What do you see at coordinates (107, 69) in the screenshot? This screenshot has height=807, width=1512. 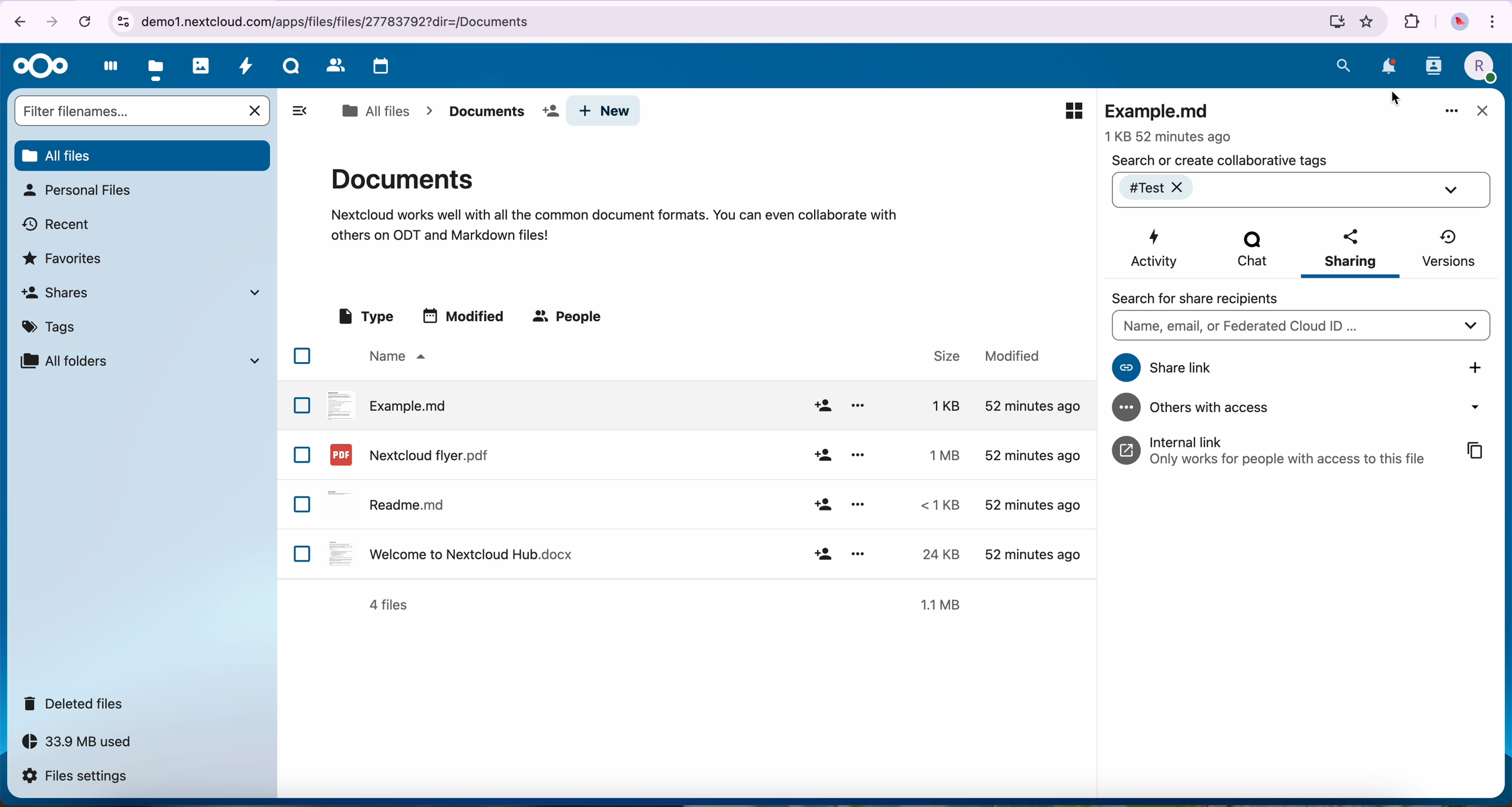 I see `dashboard` at bounding box center [107, 69].